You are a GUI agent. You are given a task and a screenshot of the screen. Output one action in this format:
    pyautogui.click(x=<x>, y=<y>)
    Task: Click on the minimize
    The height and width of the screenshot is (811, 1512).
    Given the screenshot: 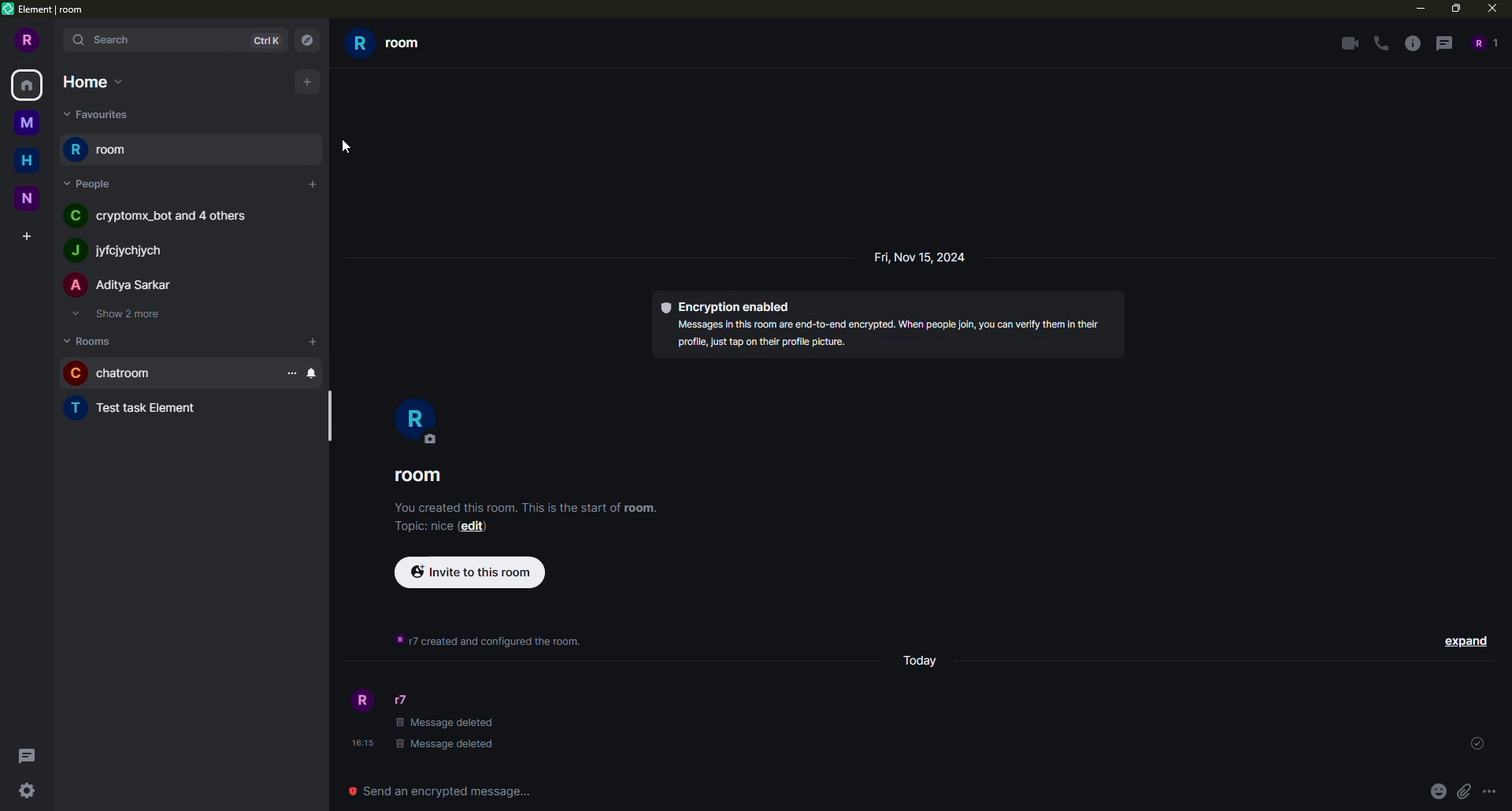 What is the action you would take?
    pyautogui.click(x=1415, y=9)
    